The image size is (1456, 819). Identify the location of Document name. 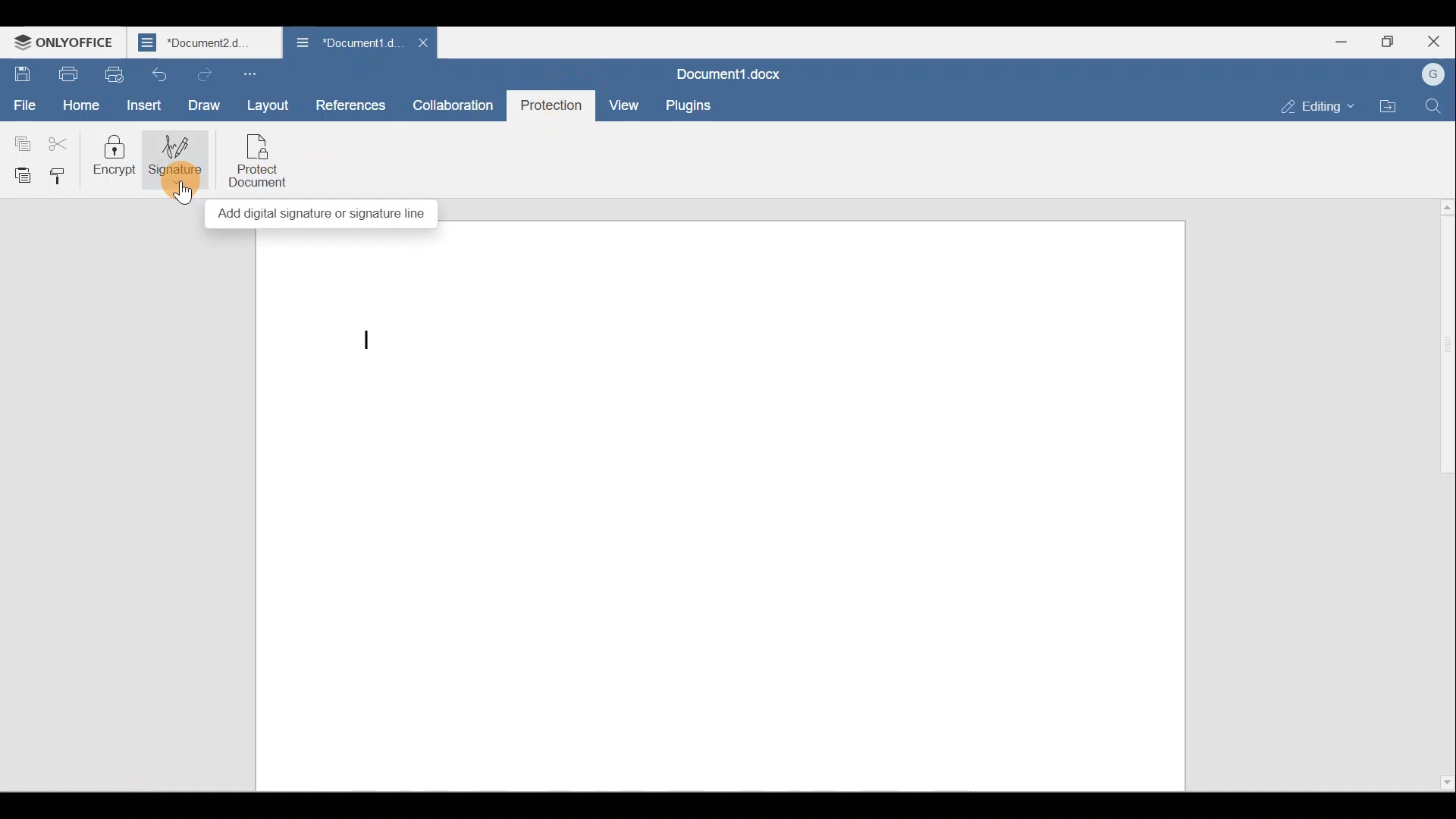
(206, 43).